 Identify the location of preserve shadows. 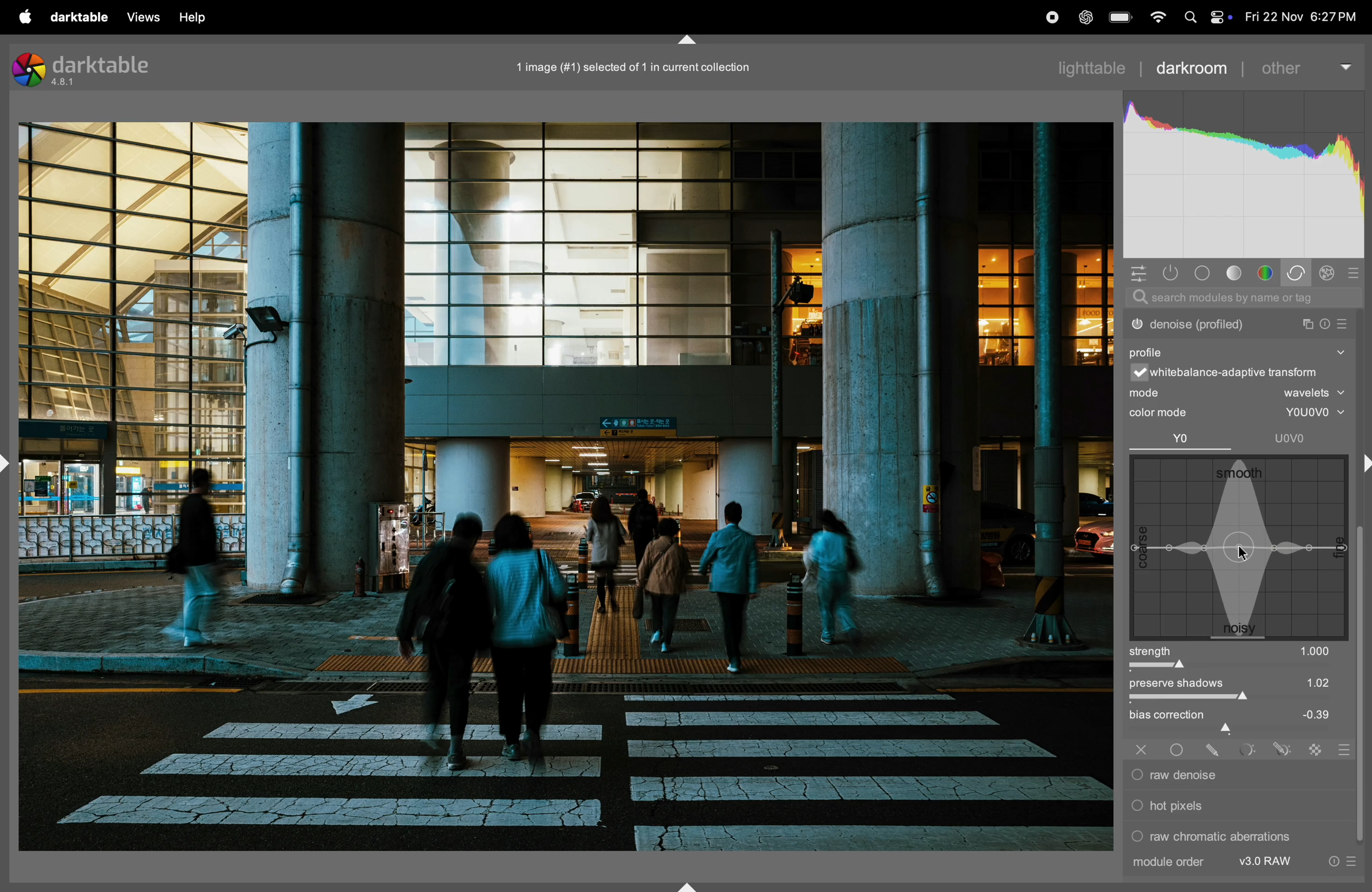
(1237, 689).